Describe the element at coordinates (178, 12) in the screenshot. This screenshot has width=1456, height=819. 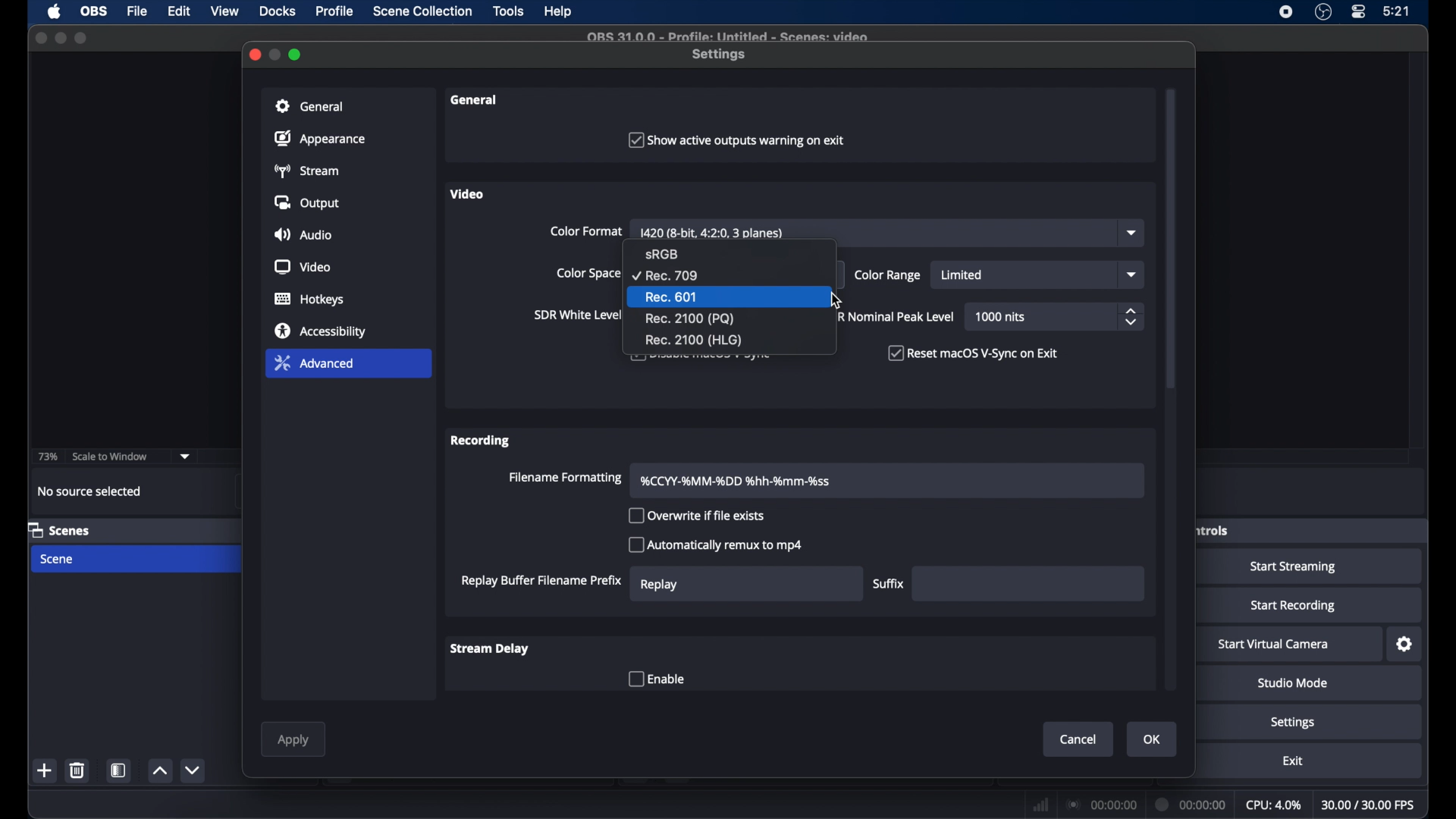
I see `edit` at that location.